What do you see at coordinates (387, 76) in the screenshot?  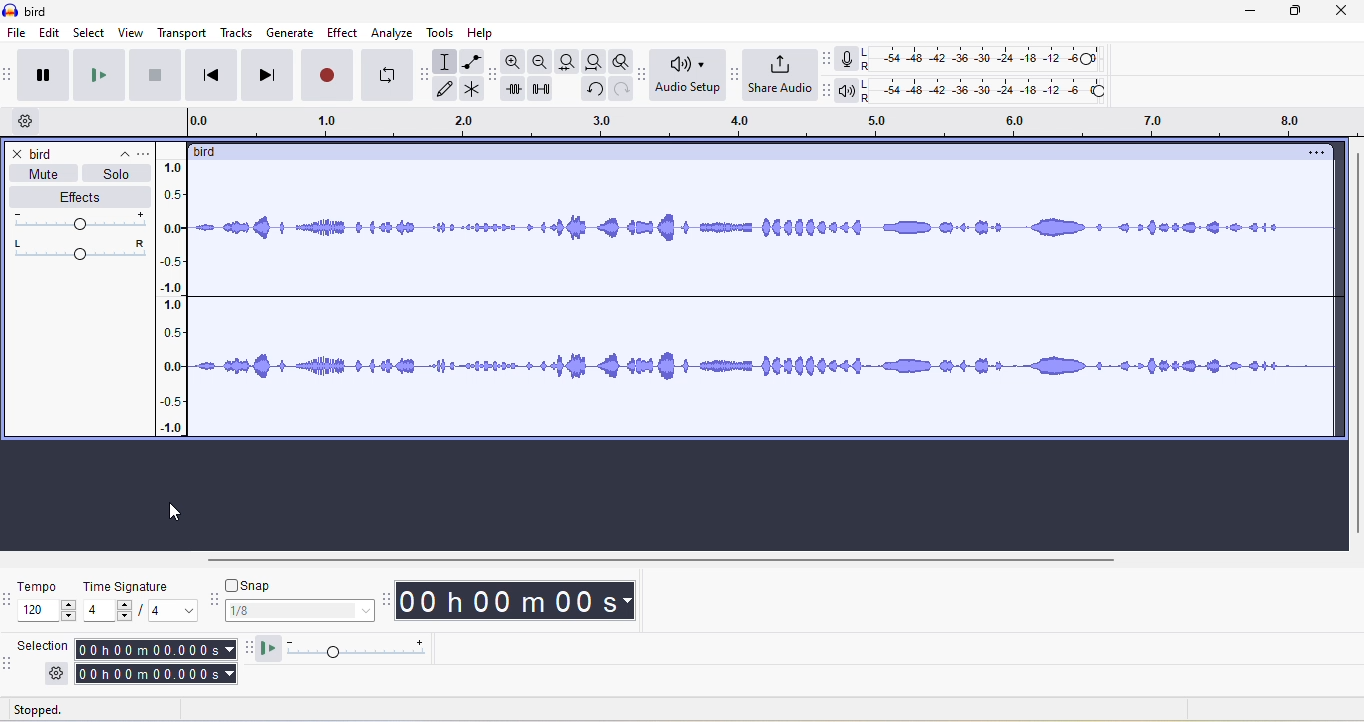 I see `enable looping` at bounding box center [387, 76].